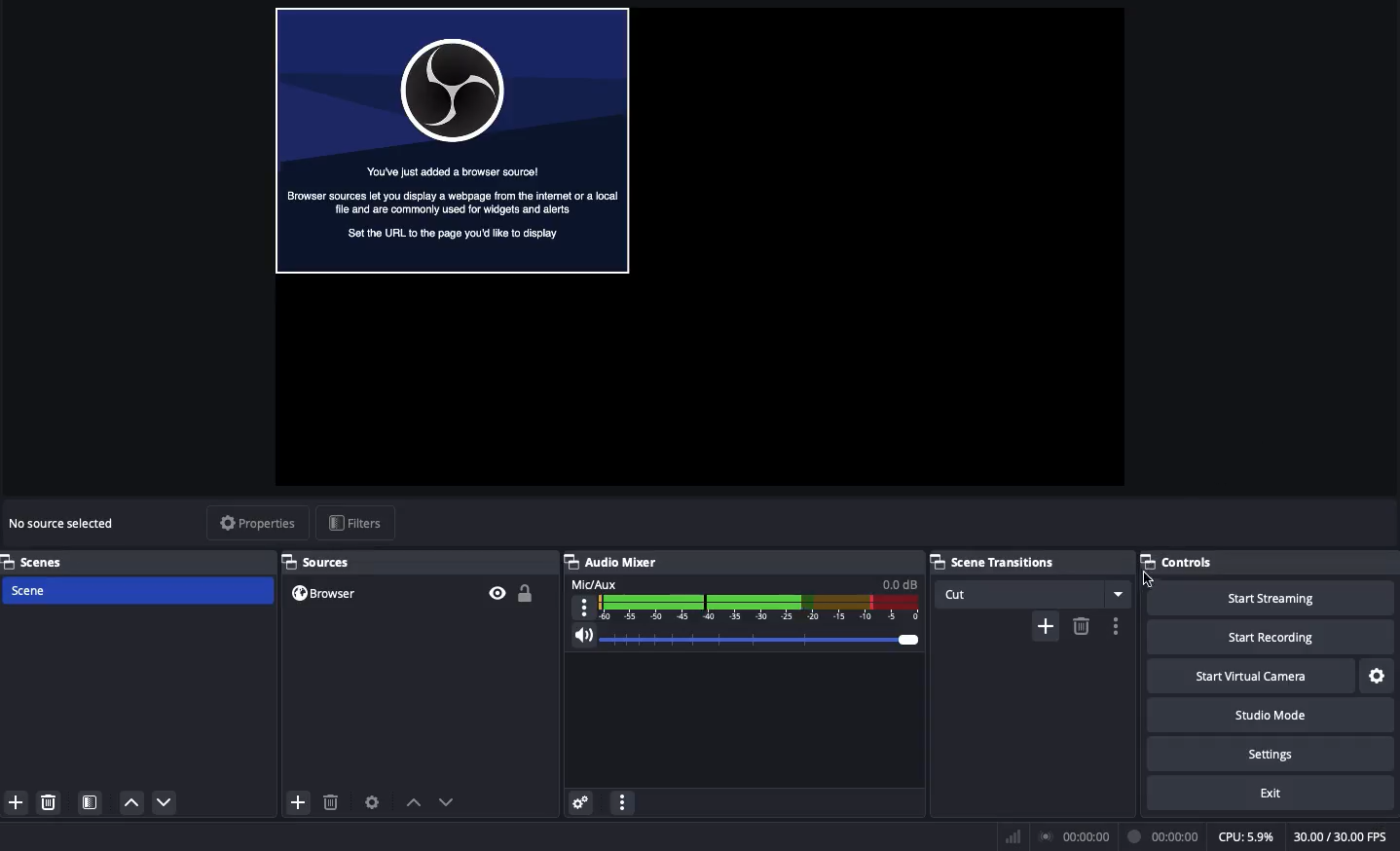 This screenshot has height=851, width=1400. What do you see at coordinates (91, 804) in the screenshot?
I see `Scene filter` at bounding box center [91, 804].